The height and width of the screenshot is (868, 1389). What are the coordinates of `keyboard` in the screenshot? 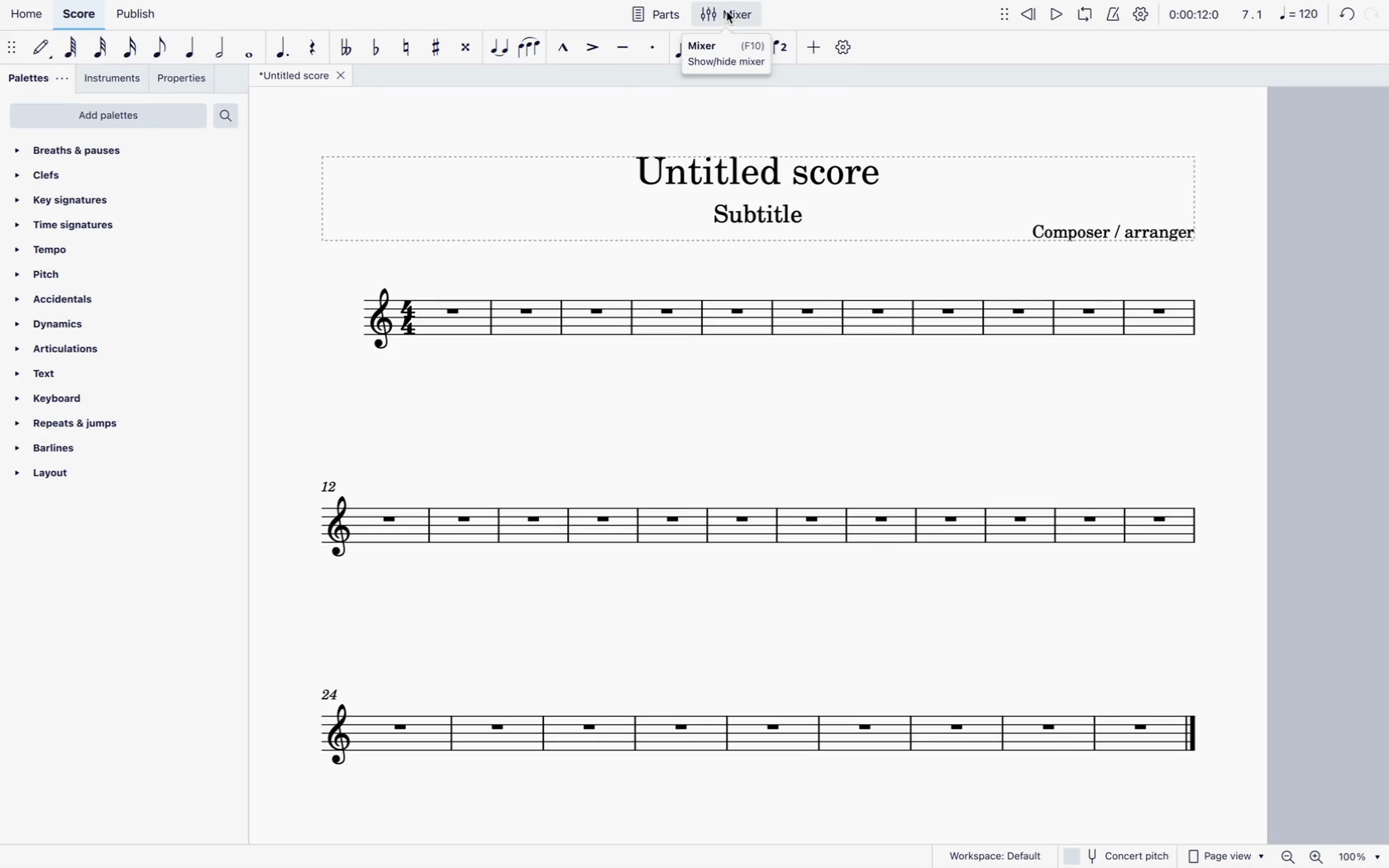 It's located at (94, 398).